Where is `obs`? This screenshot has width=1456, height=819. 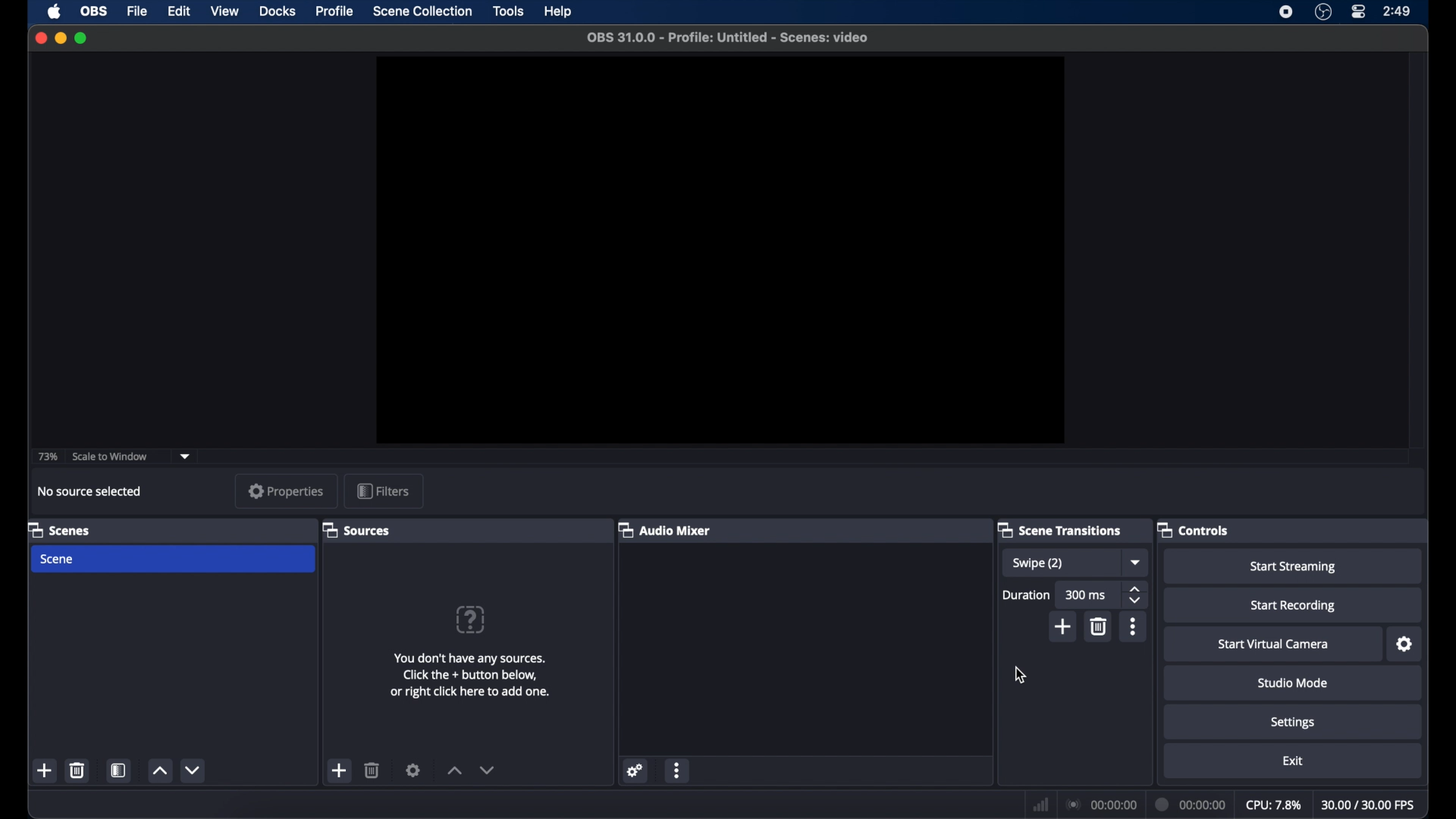 obs is located at coordinates (93, 10).